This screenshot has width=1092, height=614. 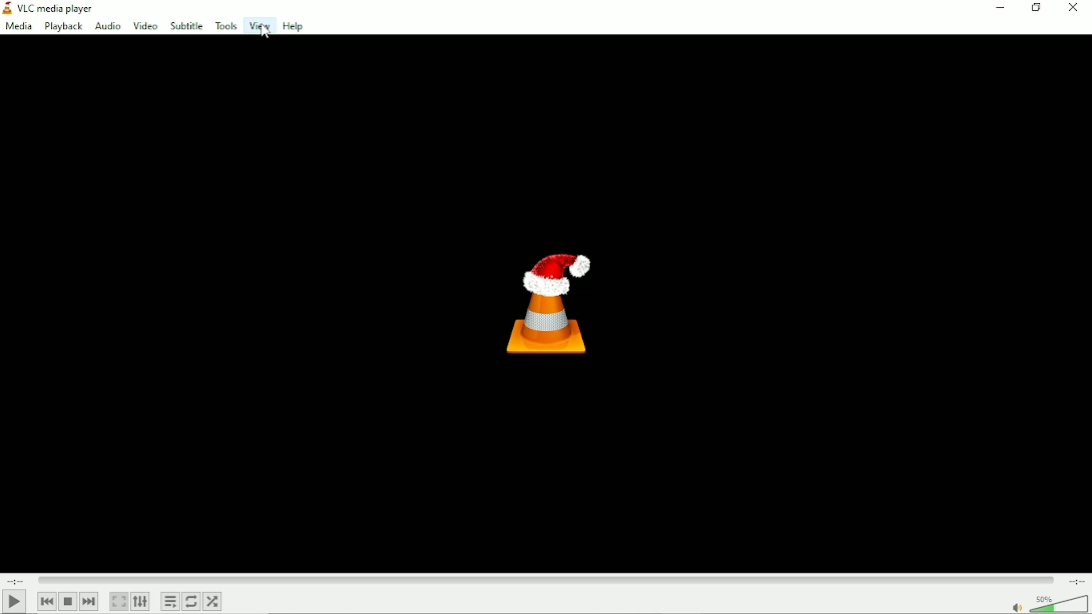 What do you see at coordinates (544, 578) in the screenshot?
I see `Play duration` at bounding box center [544, 578].